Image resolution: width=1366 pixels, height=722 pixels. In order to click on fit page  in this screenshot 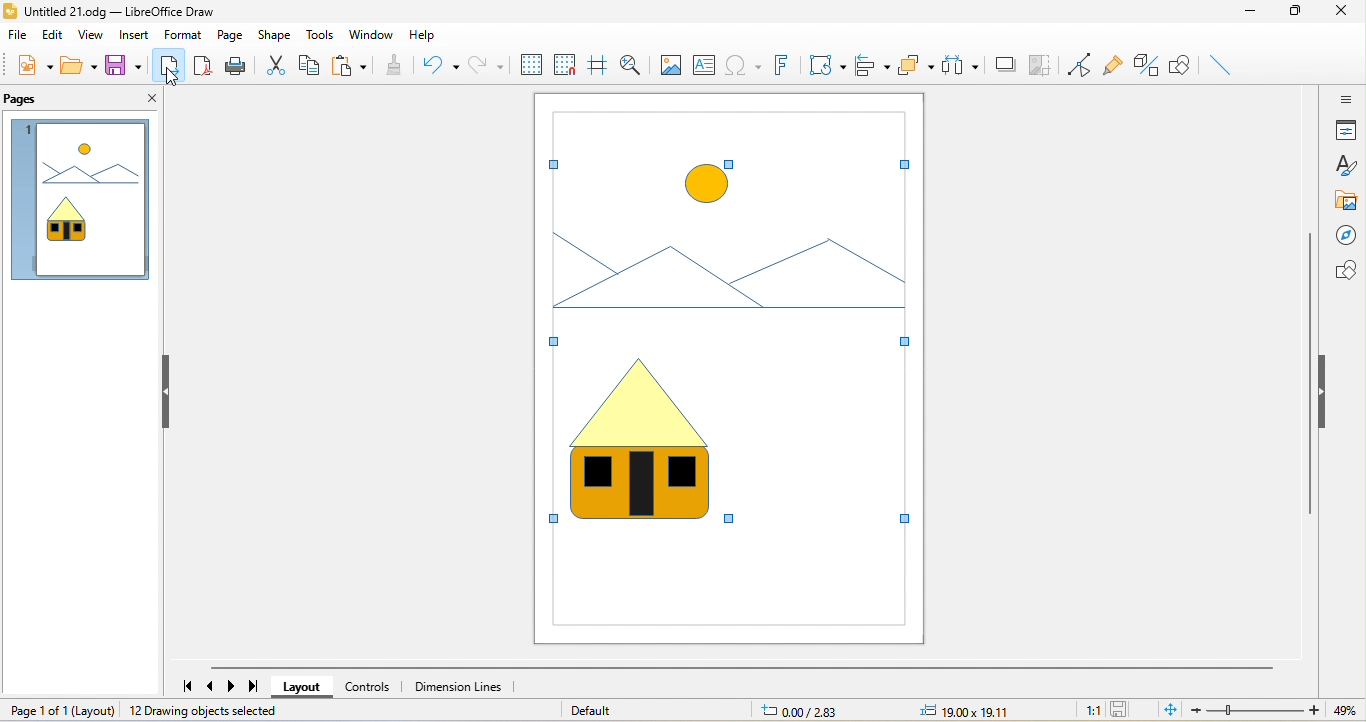, I will do `click(1170, 710)`.